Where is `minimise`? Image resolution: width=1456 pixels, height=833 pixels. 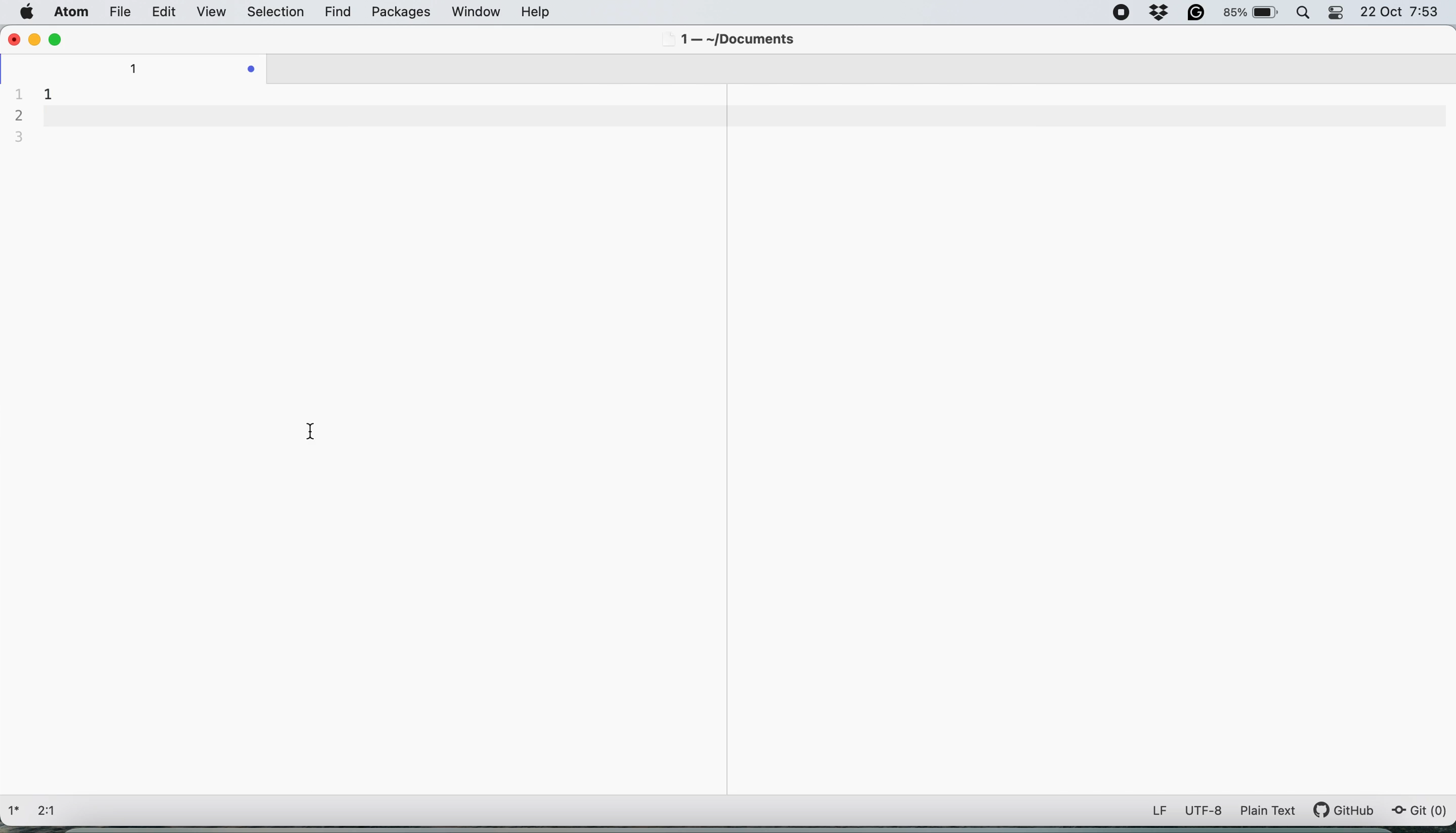
minimise is located at coordinates (35, 39).